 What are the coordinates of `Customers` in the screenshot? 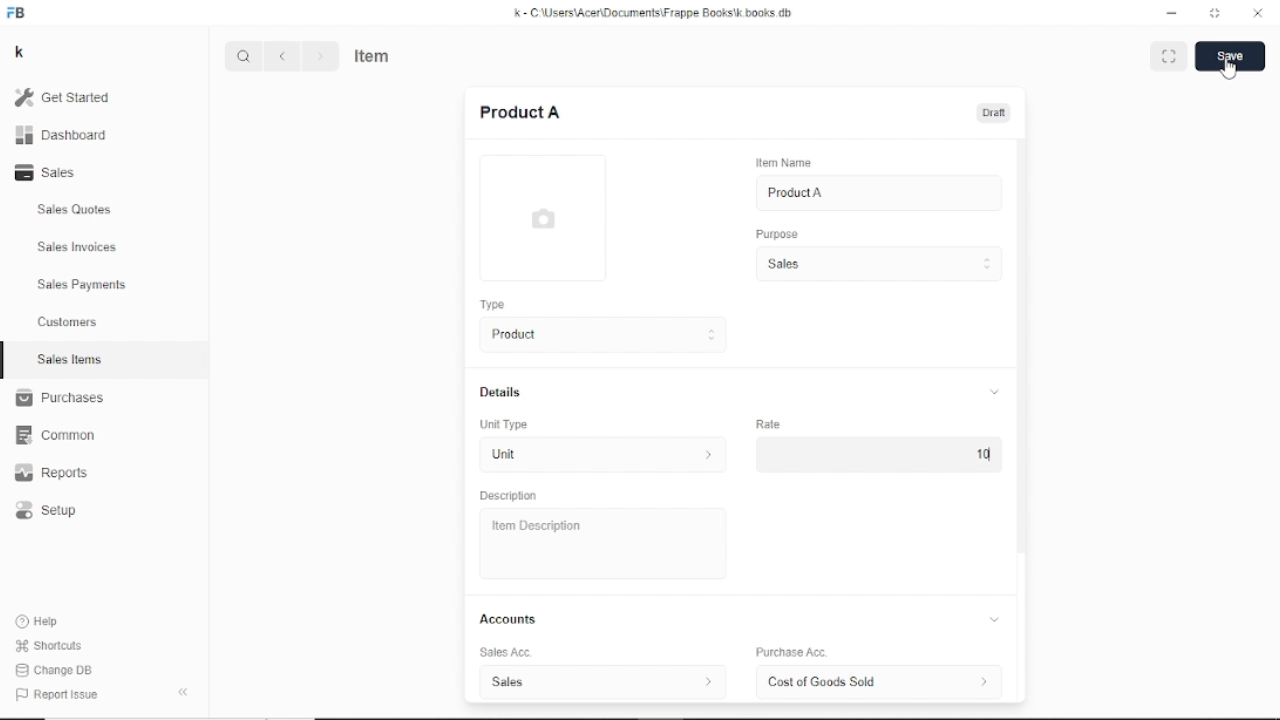 It's located at (69, 321).